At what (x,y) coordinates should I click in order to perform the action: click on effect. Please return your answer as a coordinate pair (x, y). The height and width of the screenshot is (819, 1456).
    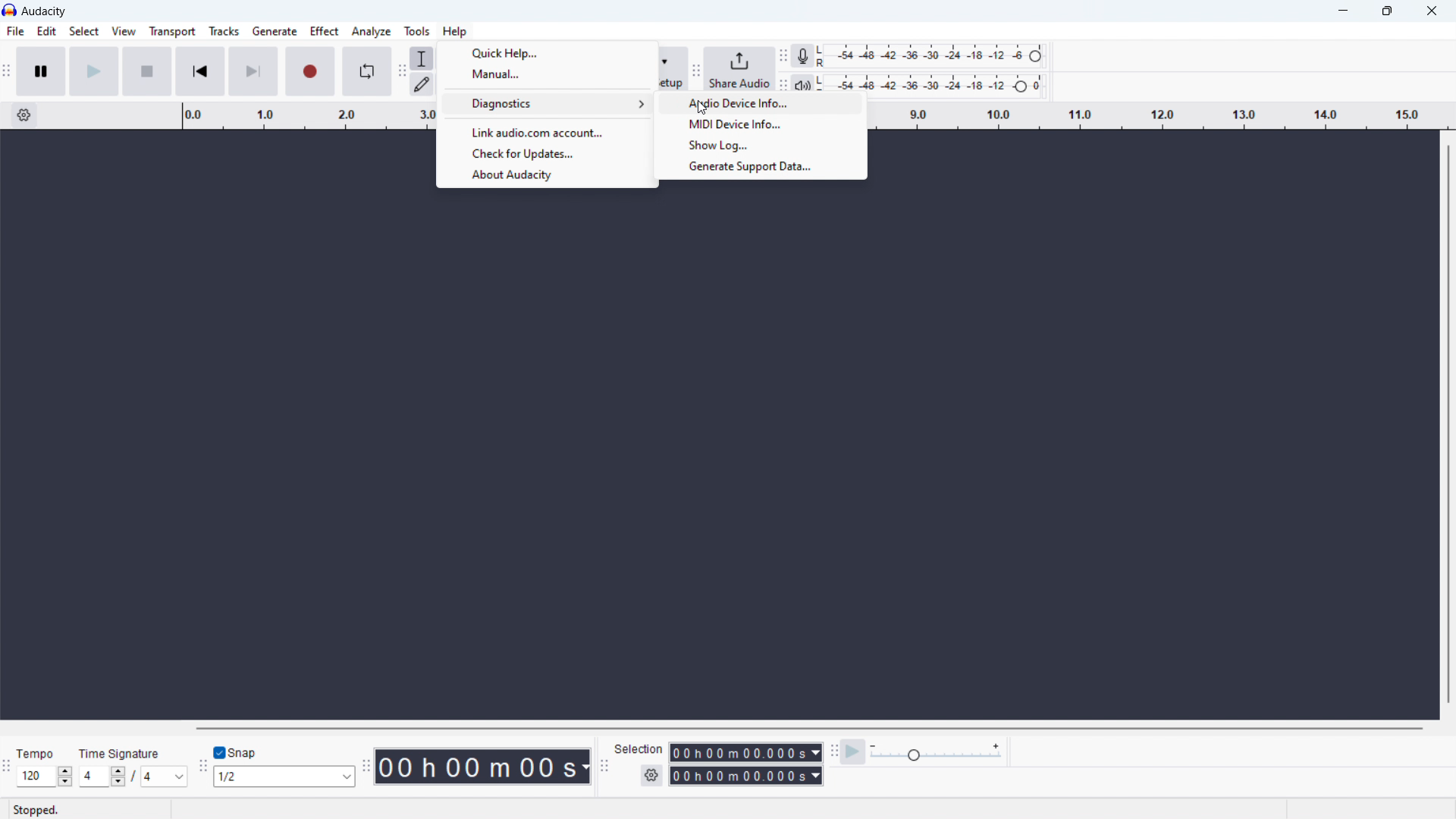
    Looking at the image, I should click on (325, 30).